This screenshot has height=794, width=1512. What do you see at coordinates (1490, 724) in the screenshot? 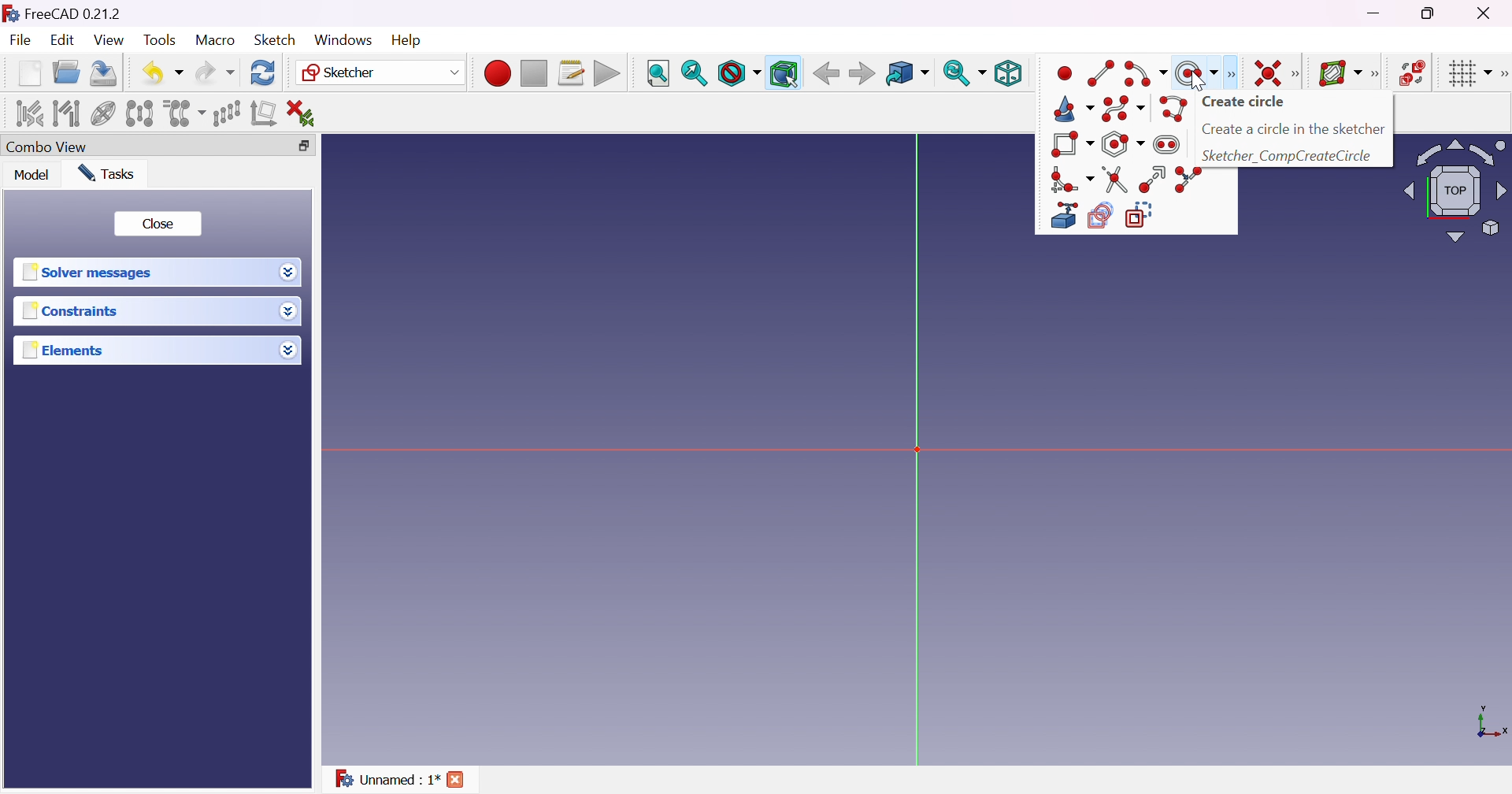
I see `x, y axis` at bounding box center [1490, 724].